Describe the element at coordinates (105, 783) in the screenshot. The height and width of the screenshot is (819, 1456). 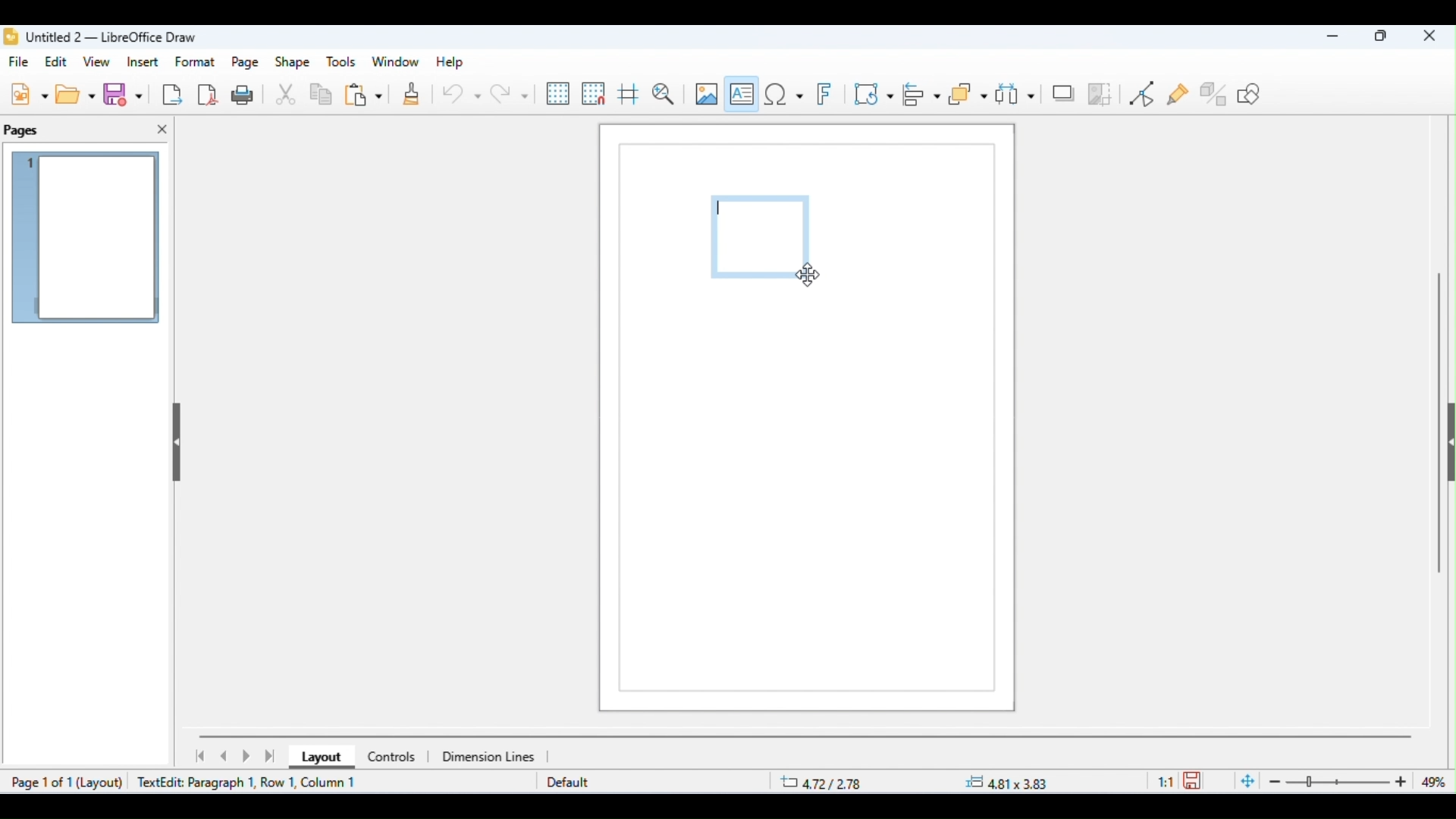
I see `layout` at that location.